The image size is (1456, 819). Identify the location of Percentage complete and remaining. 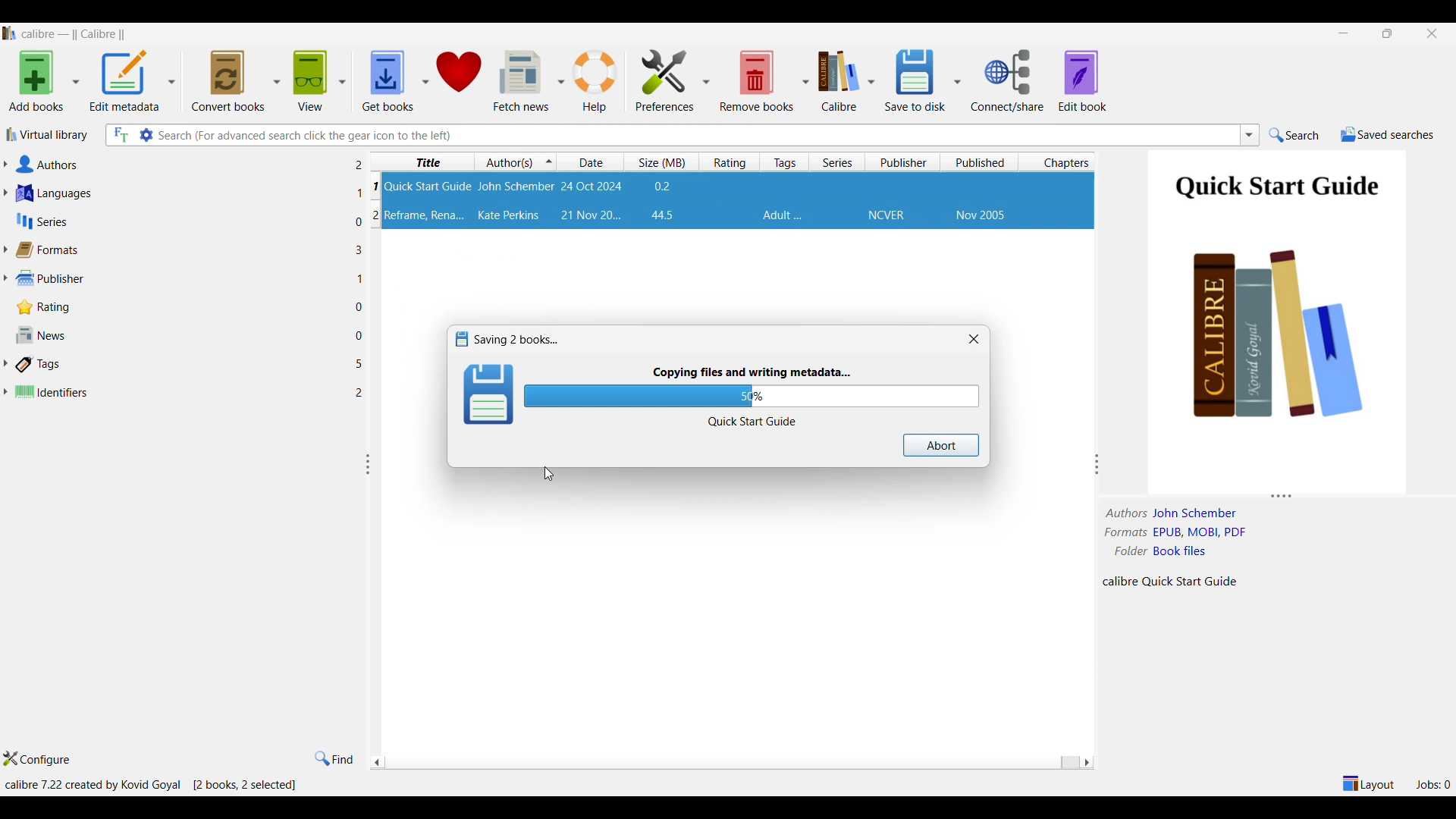
(752, 396).